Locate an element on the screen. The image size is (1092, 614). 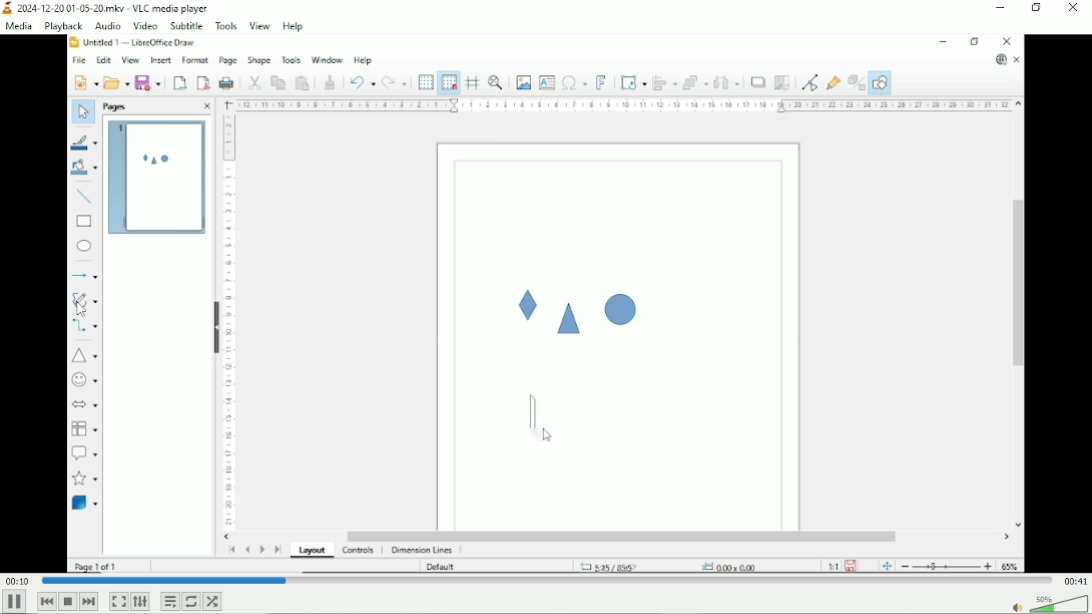
Volume is located at coordinates (1051, 603).